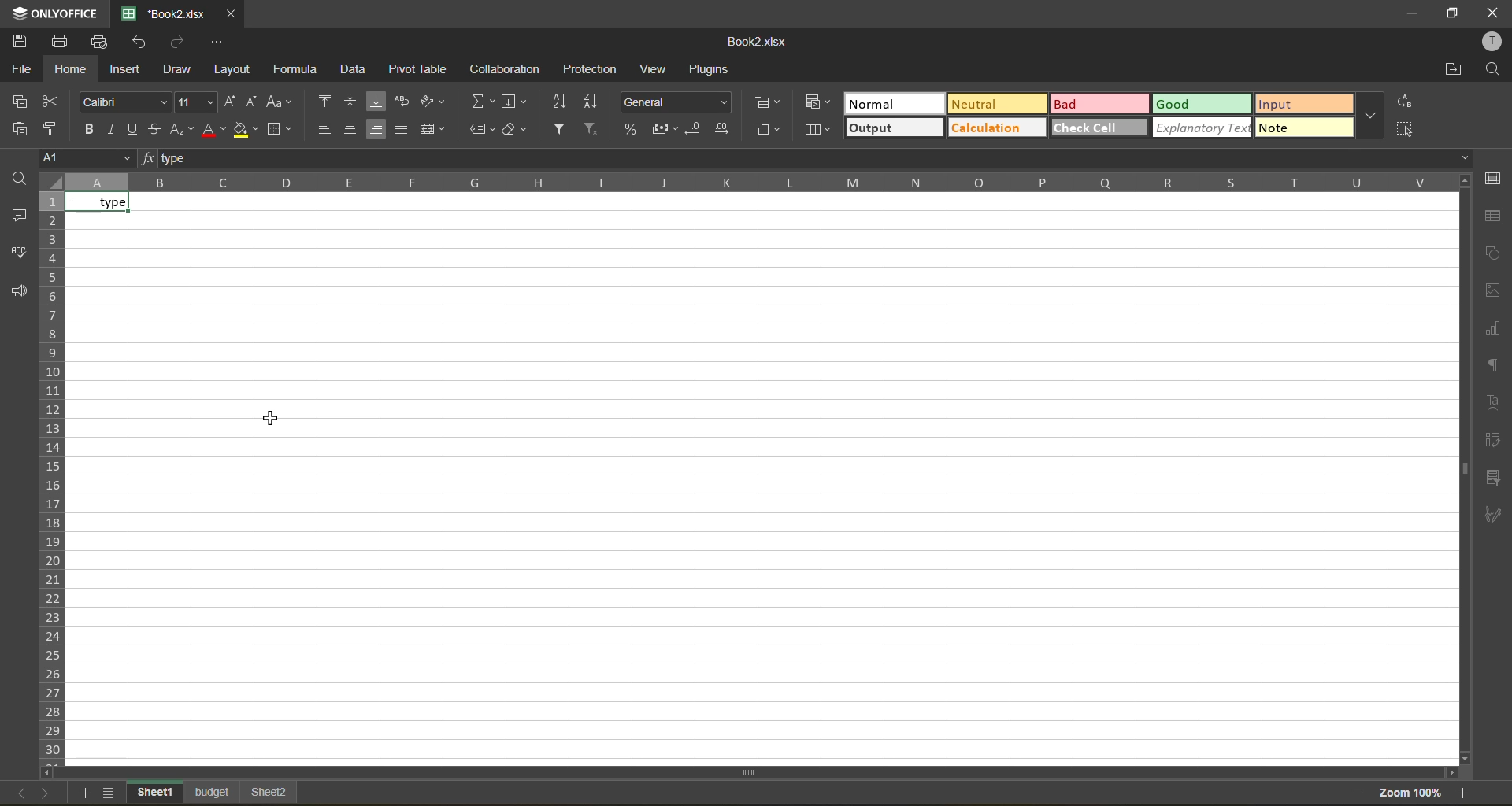  I want to click on borders, so click(279, 128).